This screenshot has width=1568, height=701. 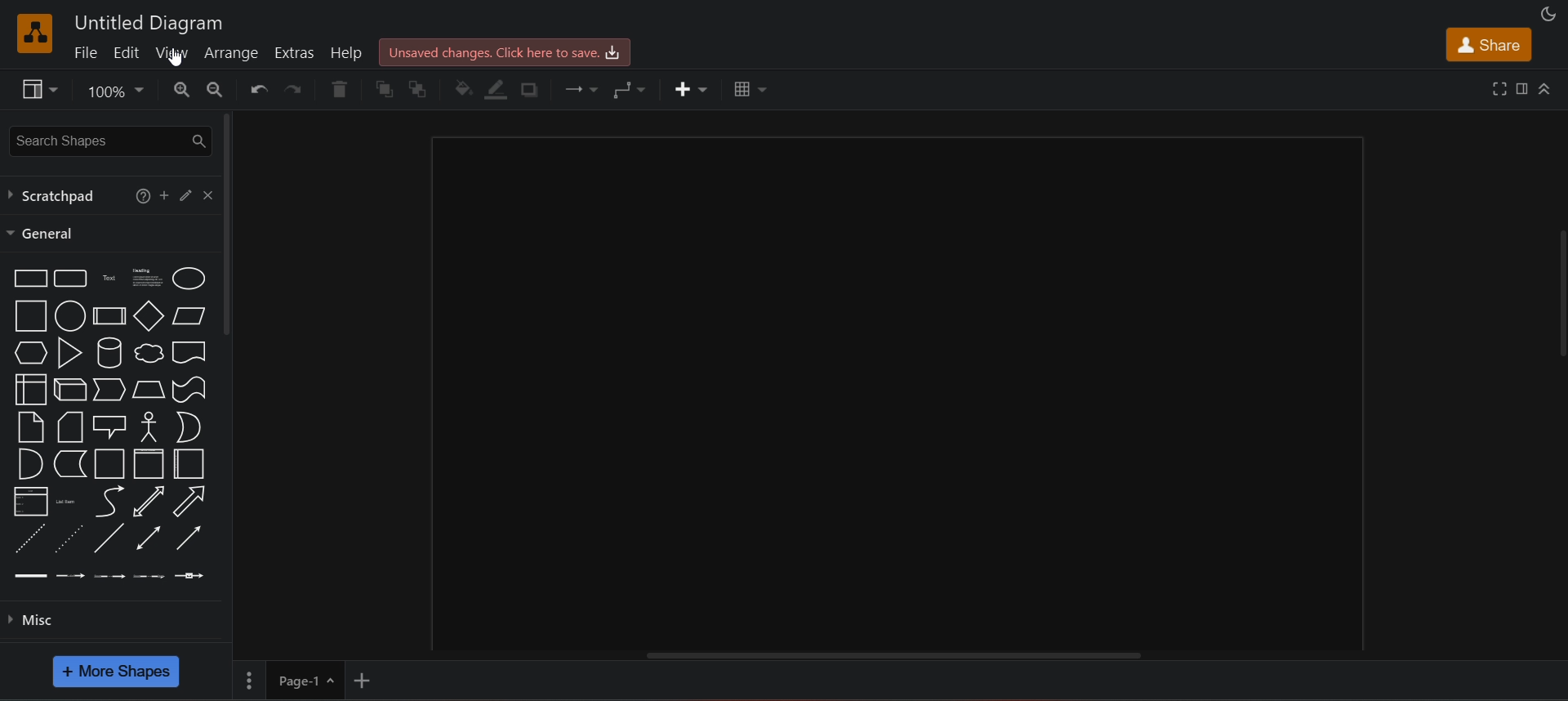 What do you see at coordinates (296, 89) in the screenshot?
I see `redo` at bounding box center [296, 89].